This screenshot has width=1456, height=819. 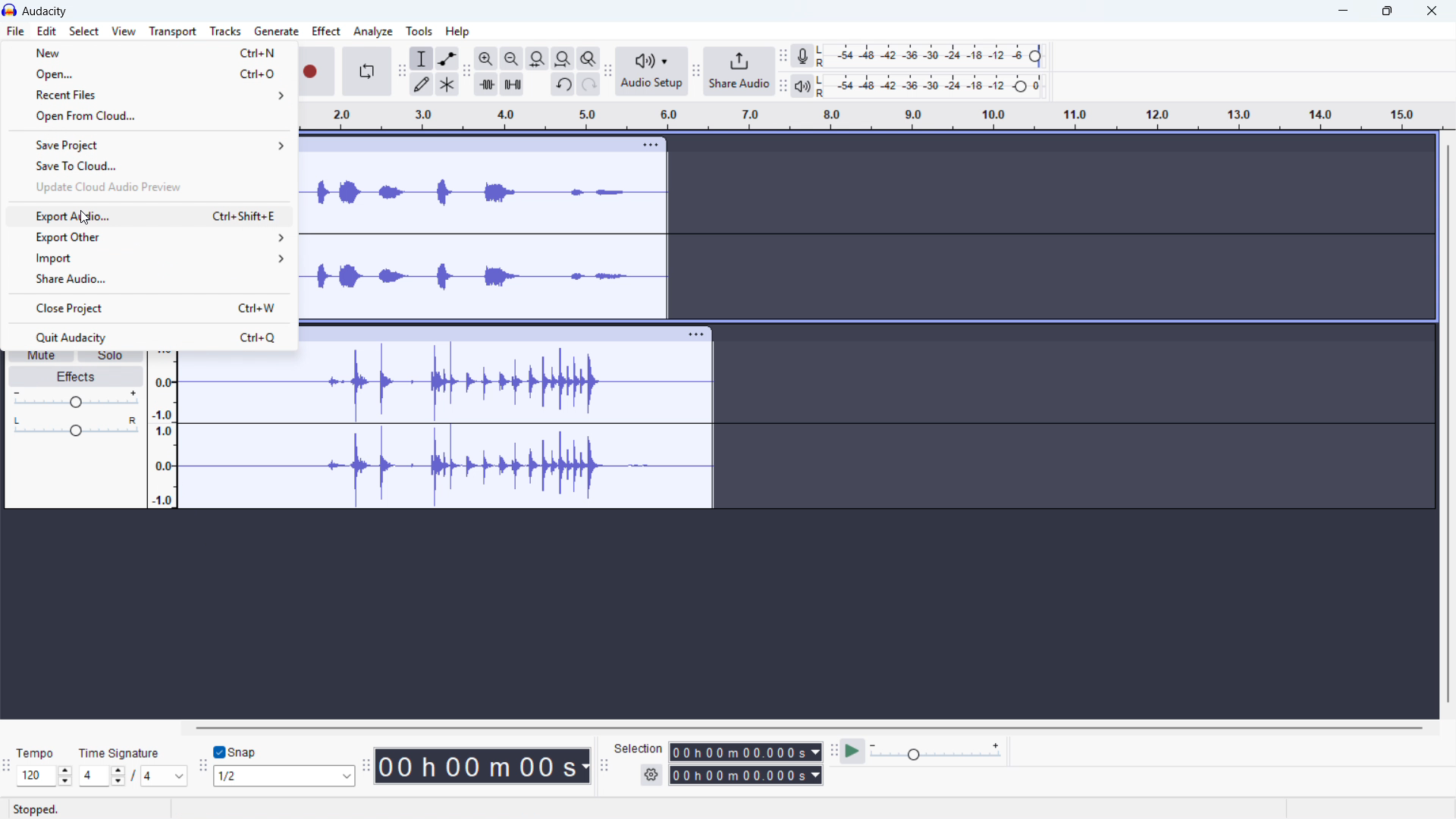 I want to click on Zoom in, so click(x=485, y=58).